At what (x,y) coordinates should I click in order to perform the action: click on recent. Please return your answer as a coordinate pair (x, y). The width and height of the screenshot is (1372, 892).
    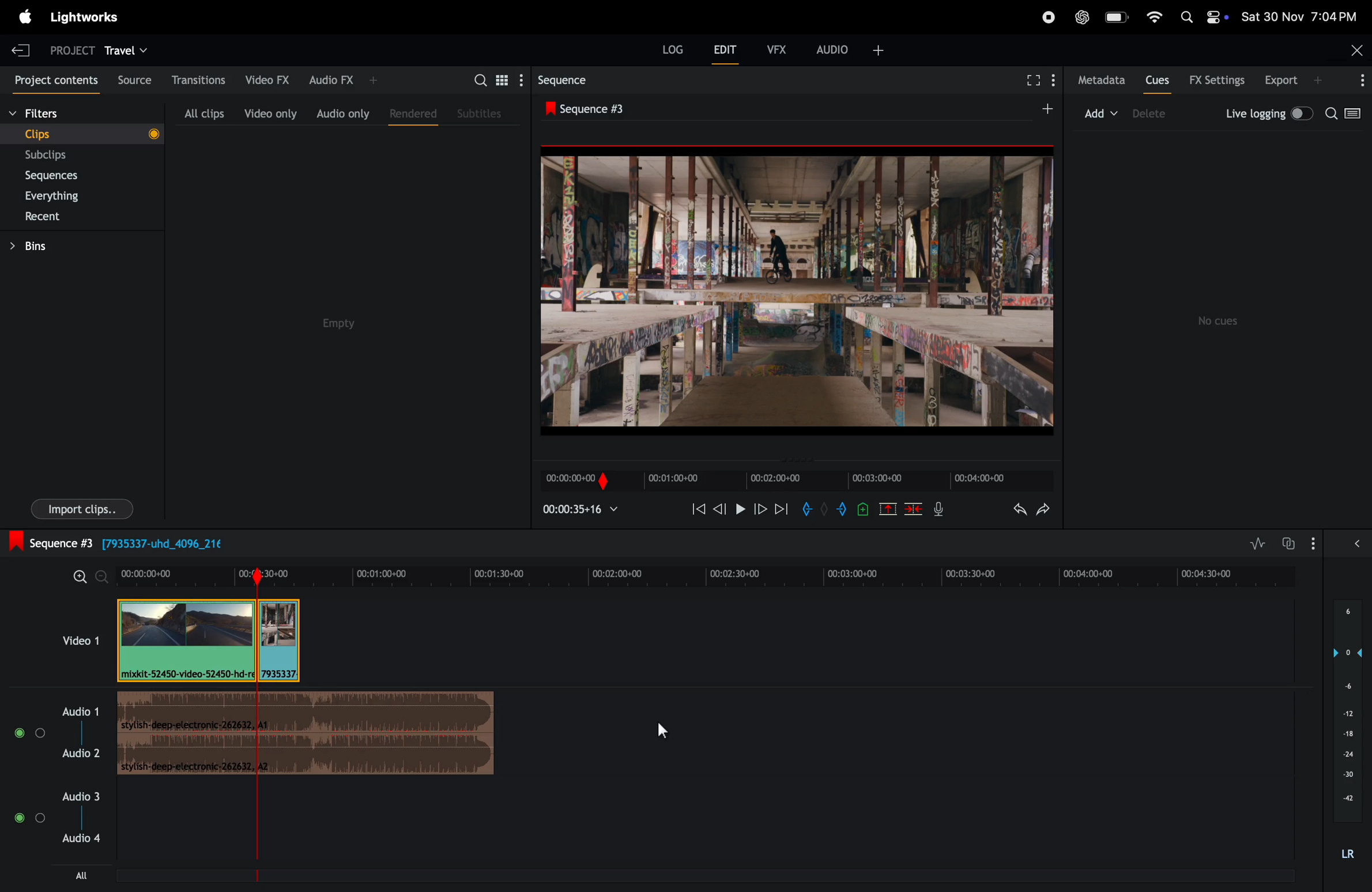
    Looking at the image, I should click on (67, 216).